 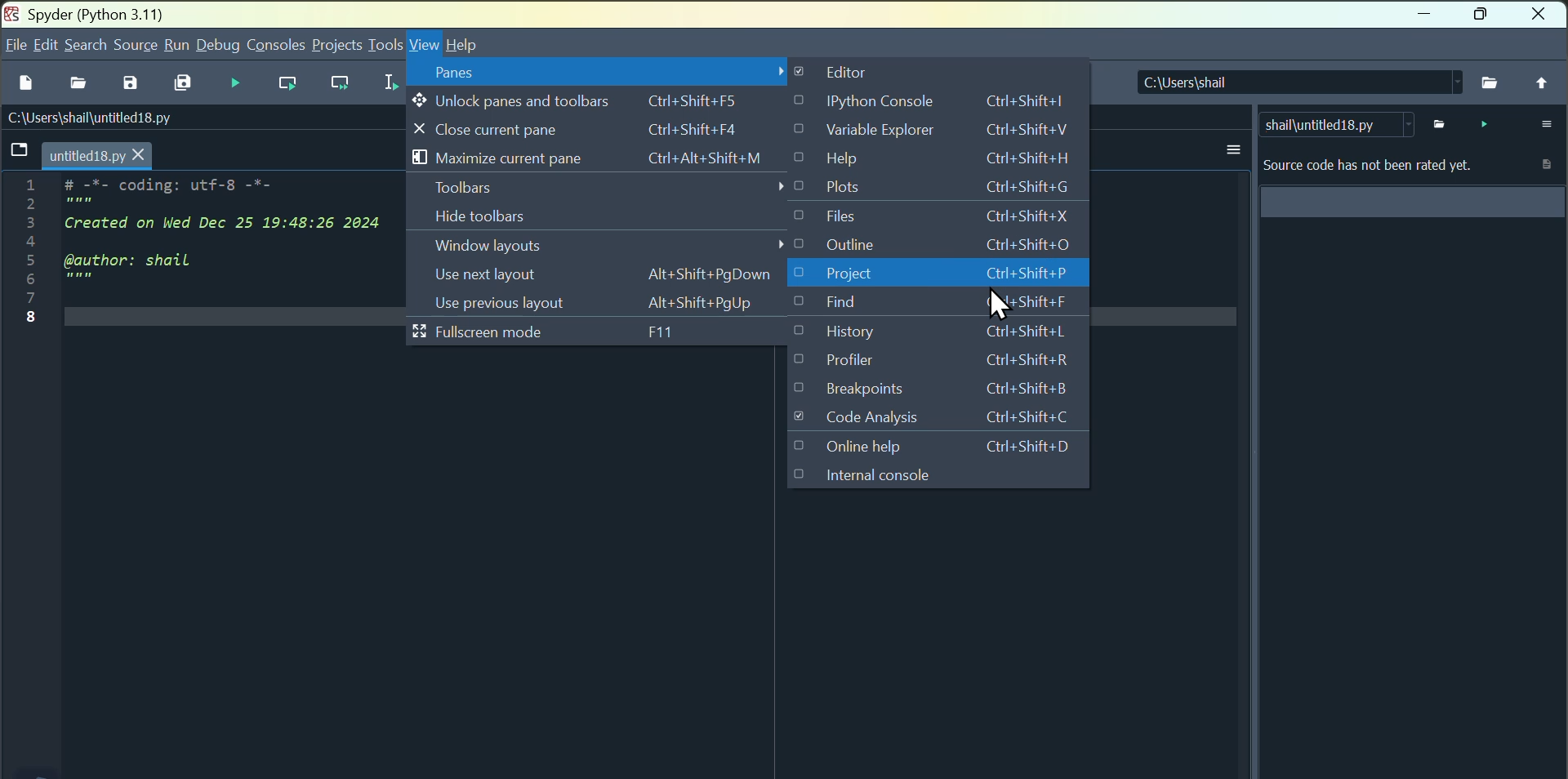 I want to click on Toolbars, so click(x=590, y=185).